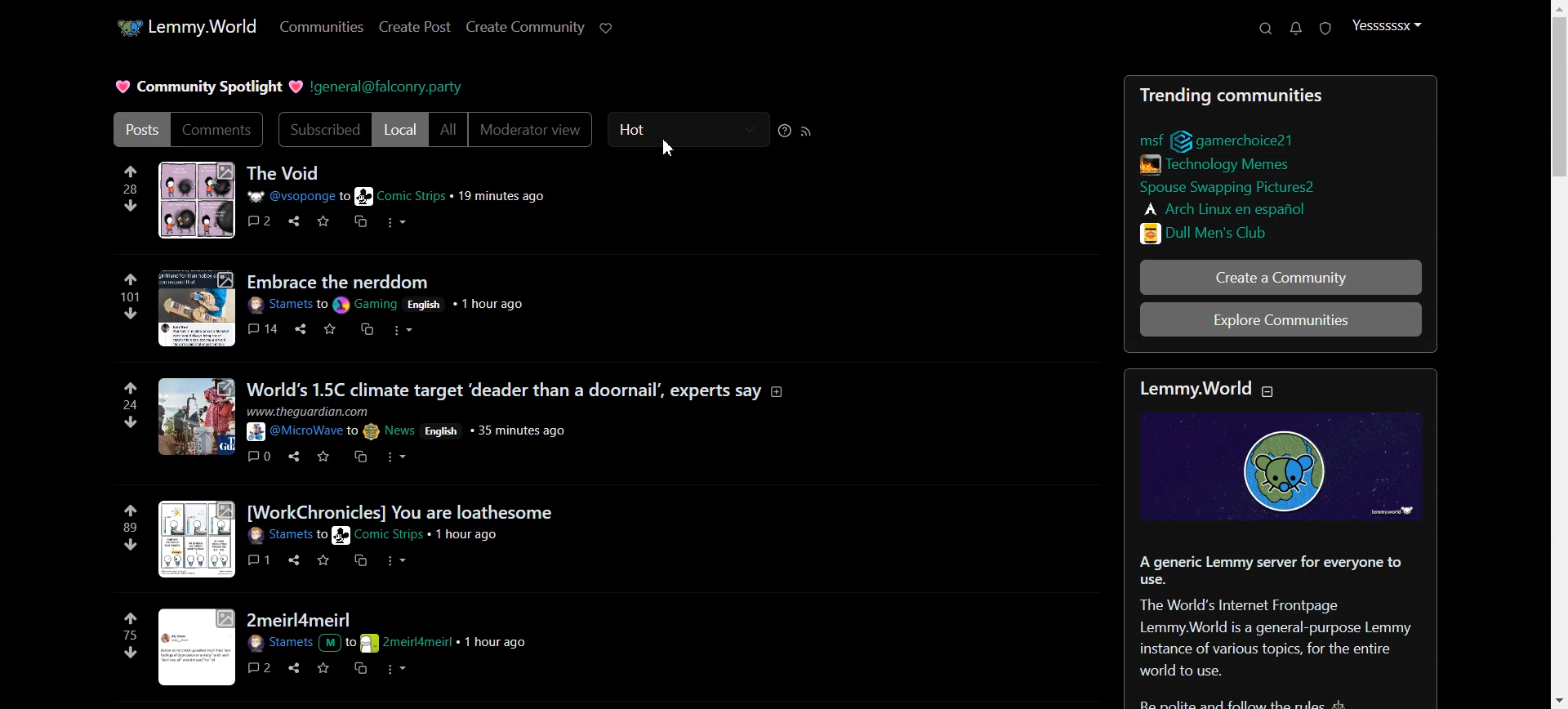 The height and width of the screenshot is (709, 1568). I want to click on comments, so click(261, 328).